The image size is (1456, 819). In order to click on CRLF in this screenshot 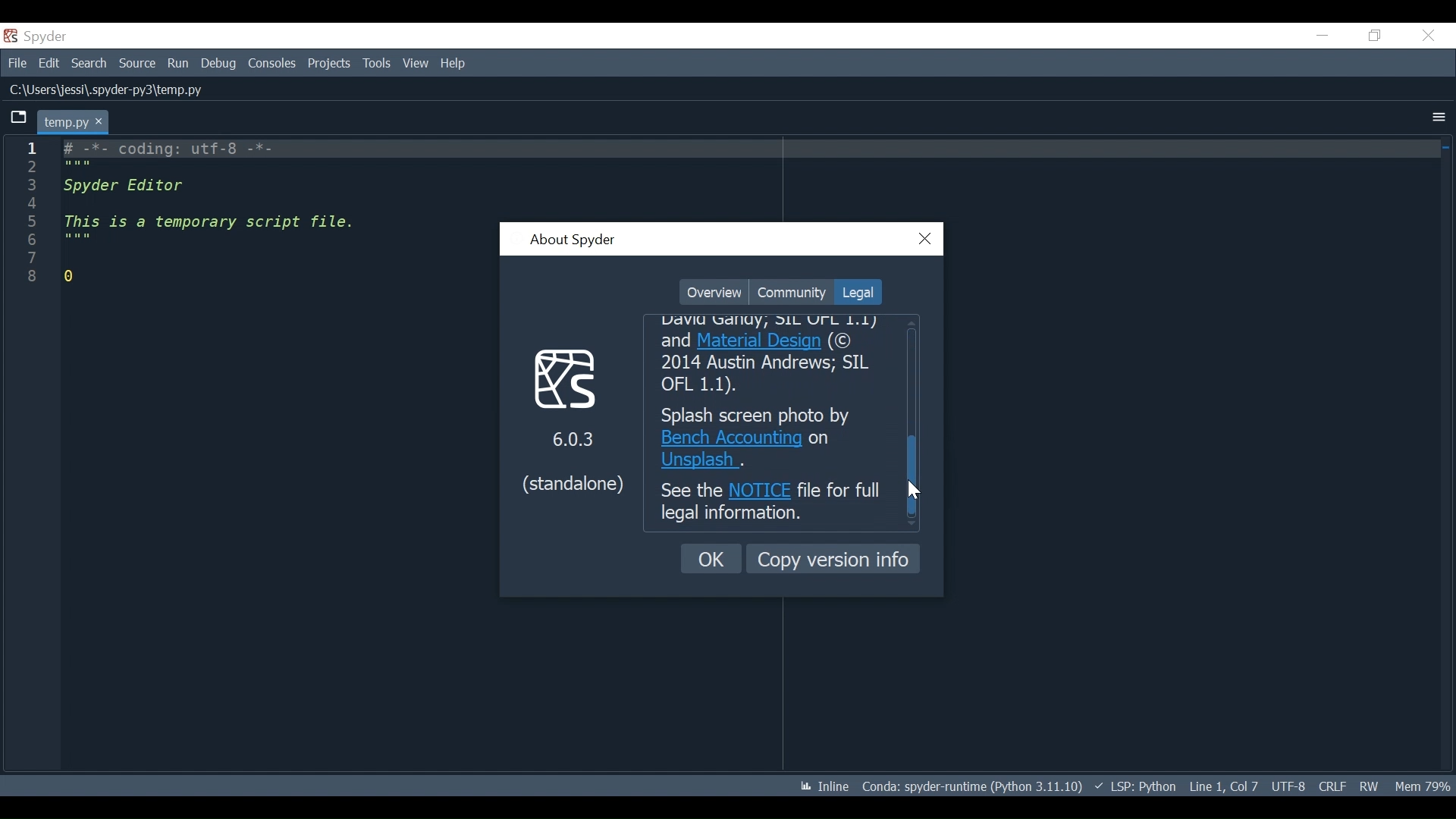, I will do `click(1332, 786)`.